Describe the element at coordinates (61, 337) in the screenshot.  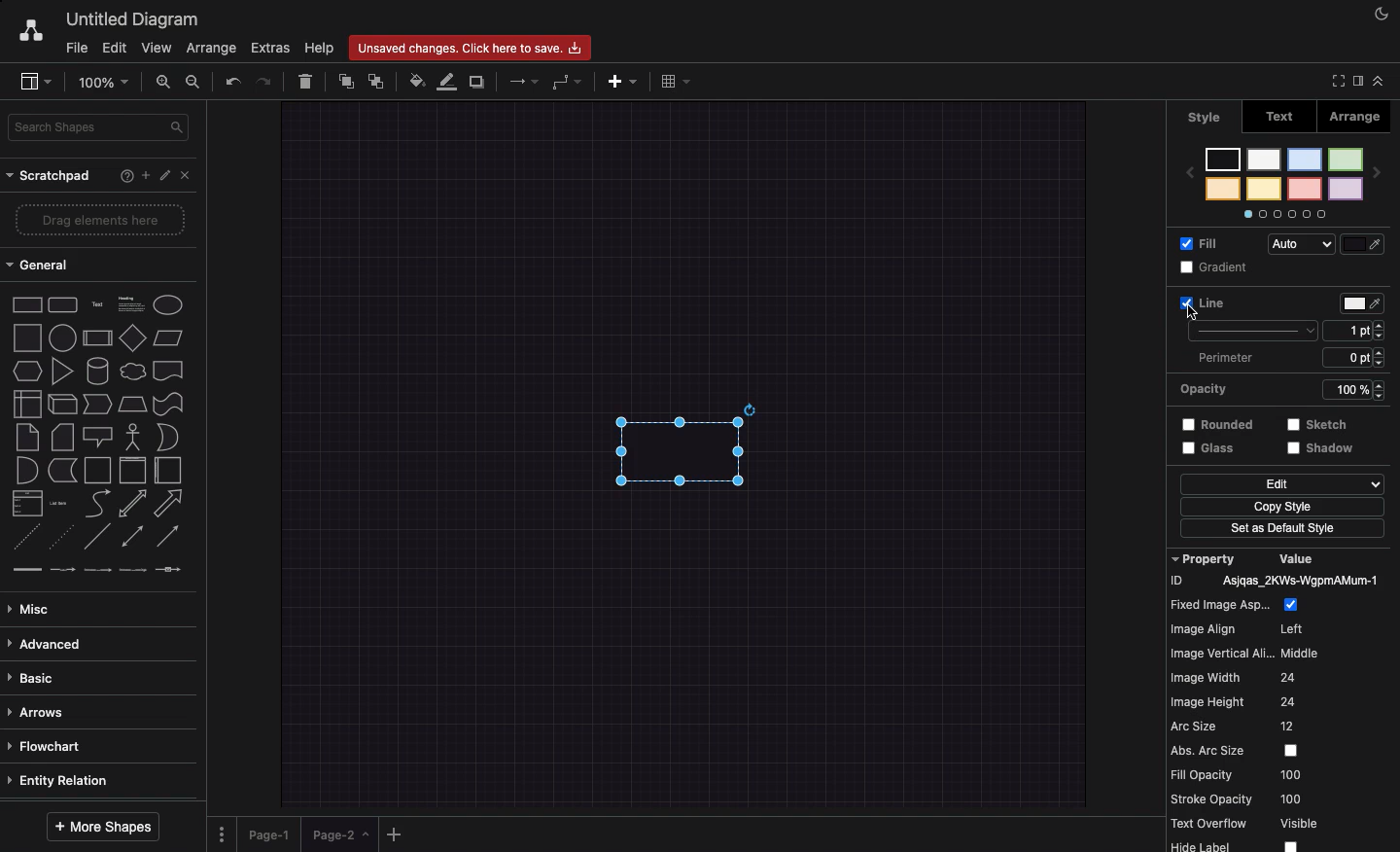
I see `circle` at that location.